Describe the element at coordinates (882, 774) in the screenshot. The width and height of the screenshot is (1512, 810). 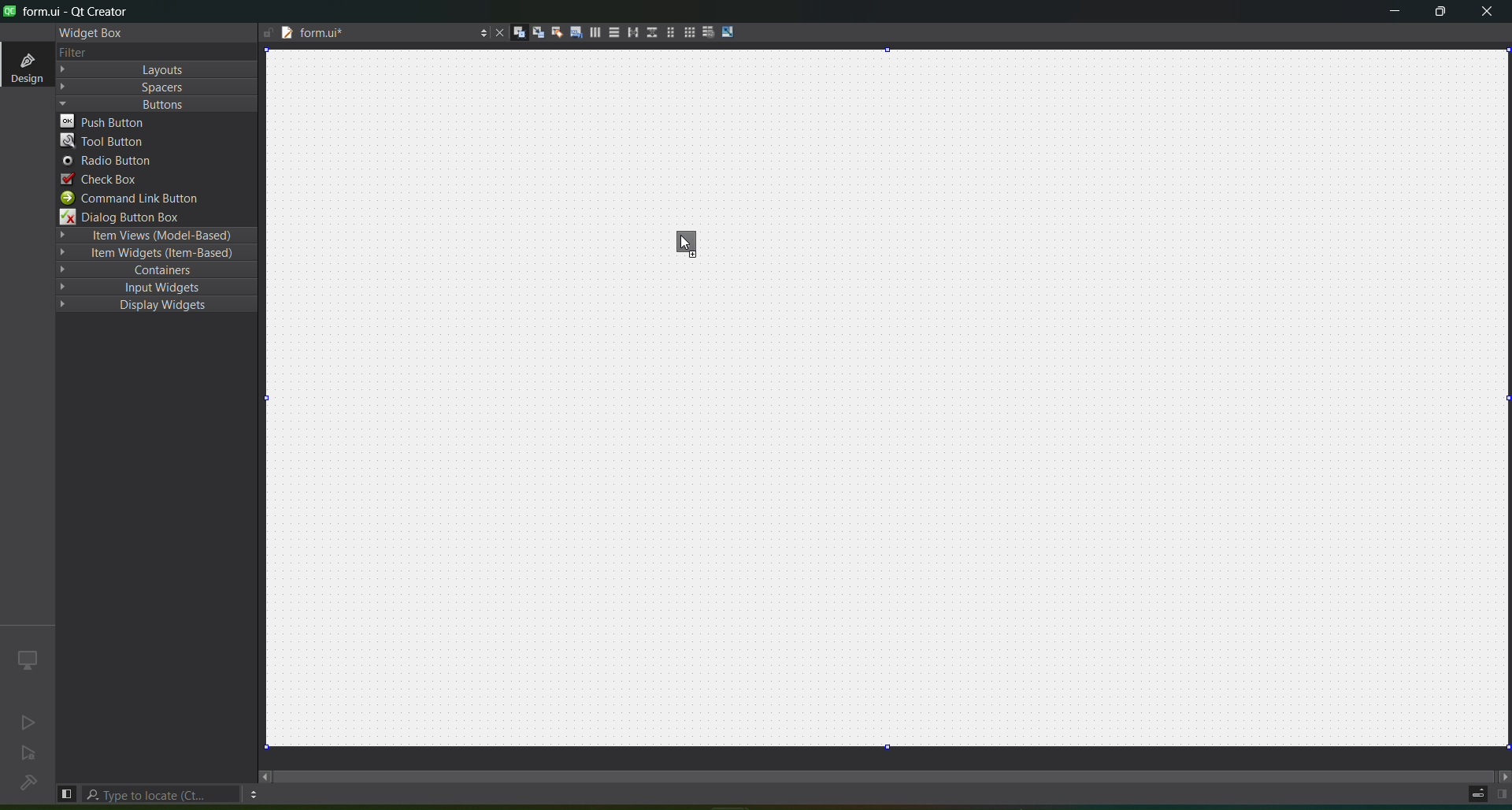
I see `scroll bar` at that location.